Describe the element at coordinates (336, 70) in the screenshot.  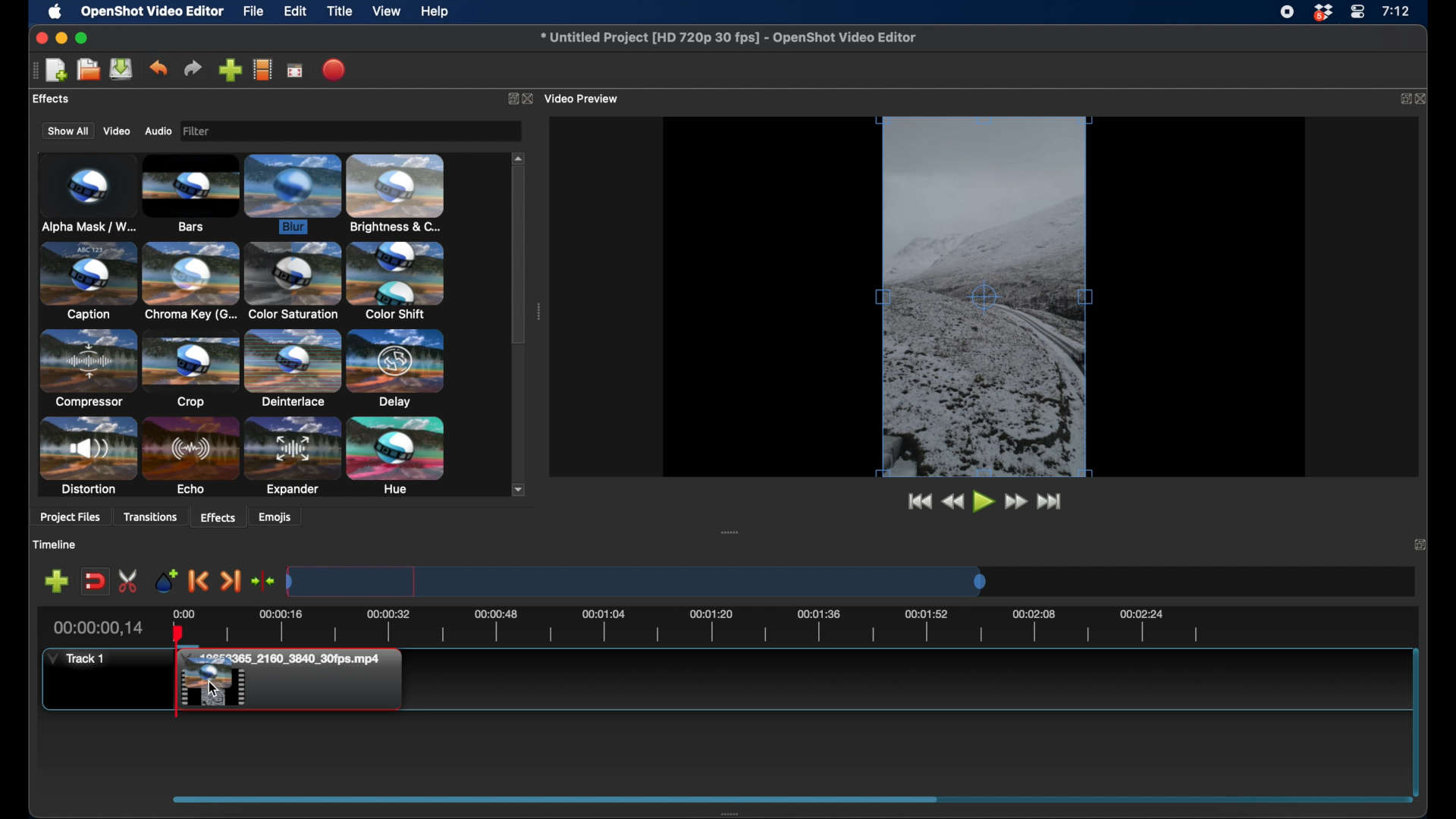
I see `export video` at that location.